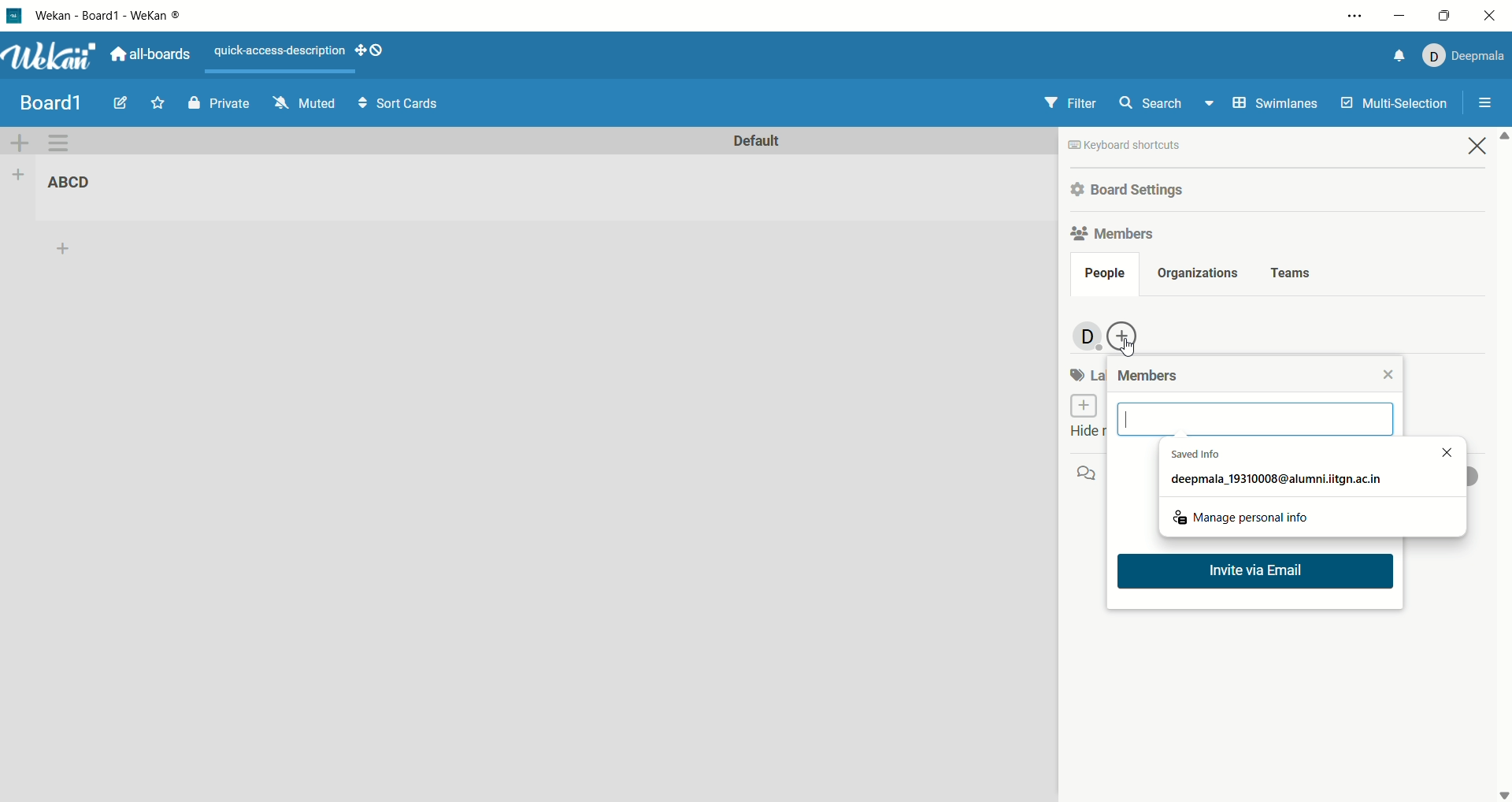  What do you see at coordinates (221, 104) in the screenshot?
I see `private` at bounding box center [221, 104].